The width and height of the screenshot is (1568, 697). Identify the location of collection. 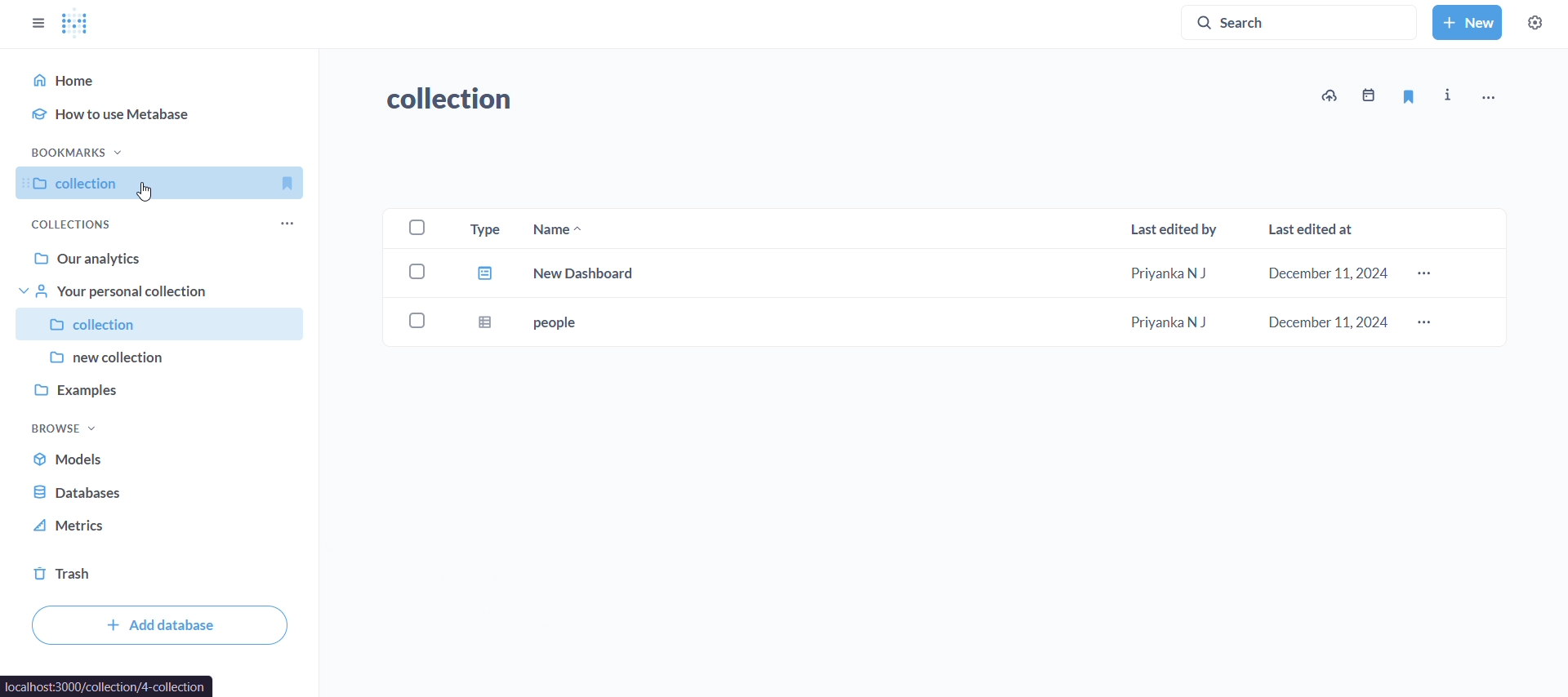
(457, 95).